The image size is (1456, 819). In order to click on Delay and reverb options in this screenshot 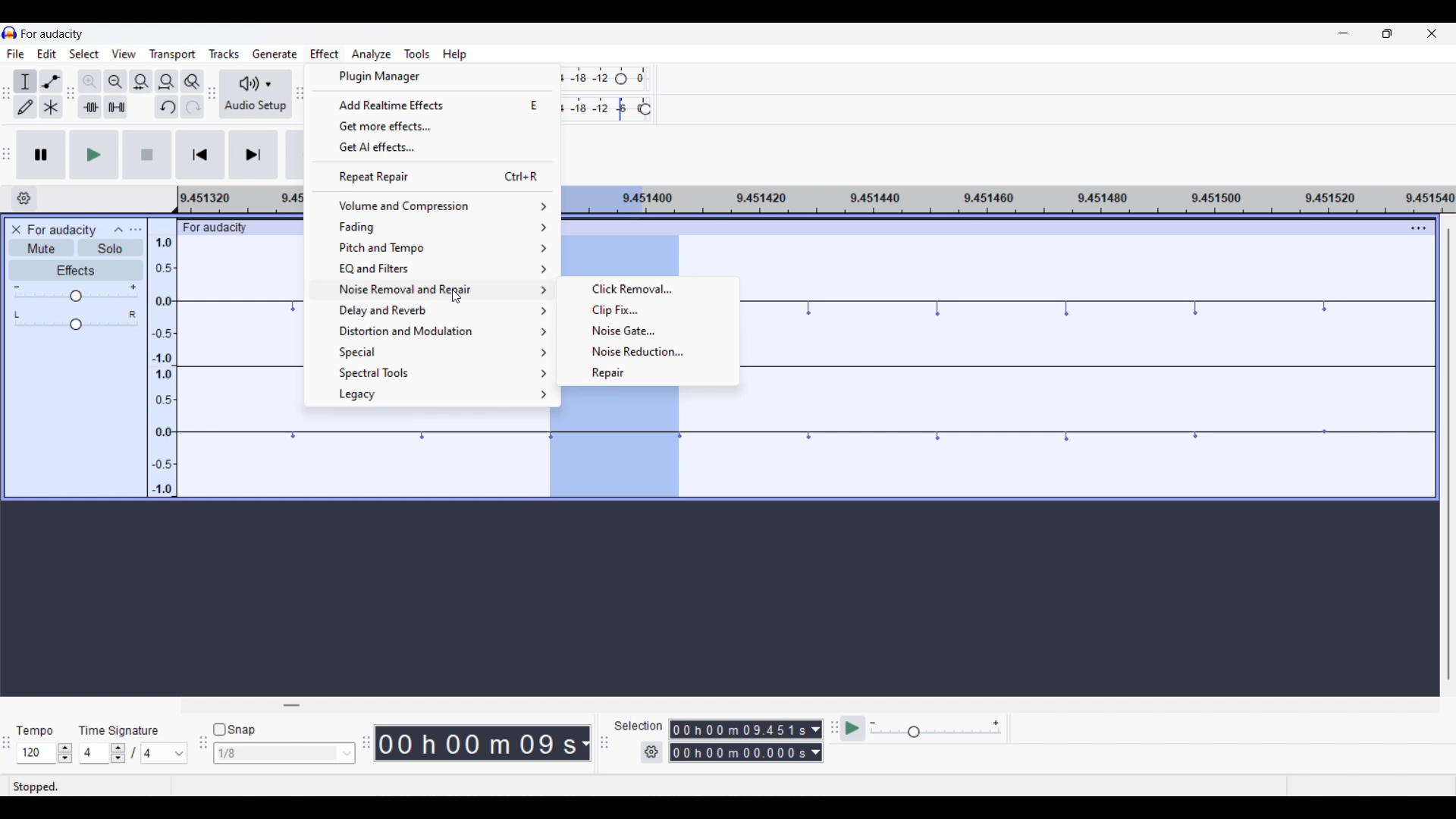, I will do `click(432, 310)`.